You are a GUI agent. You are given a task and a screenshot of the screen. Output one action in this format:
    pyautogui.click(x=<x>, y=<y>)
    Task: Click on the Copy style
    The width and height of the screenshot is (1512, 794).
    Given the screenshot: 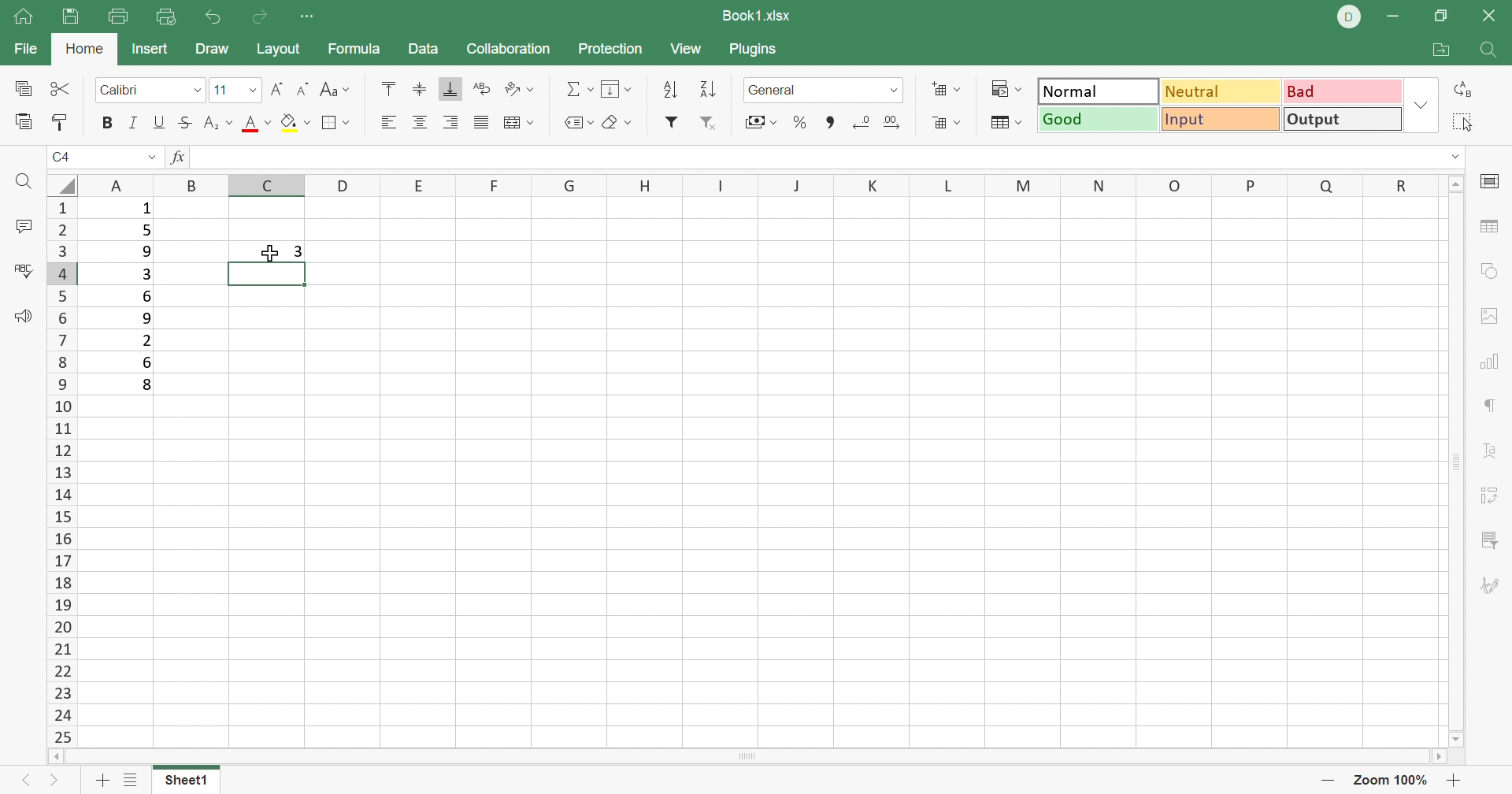 What is the action you would take?
    pyautogui.click(x=59, y=121)
    